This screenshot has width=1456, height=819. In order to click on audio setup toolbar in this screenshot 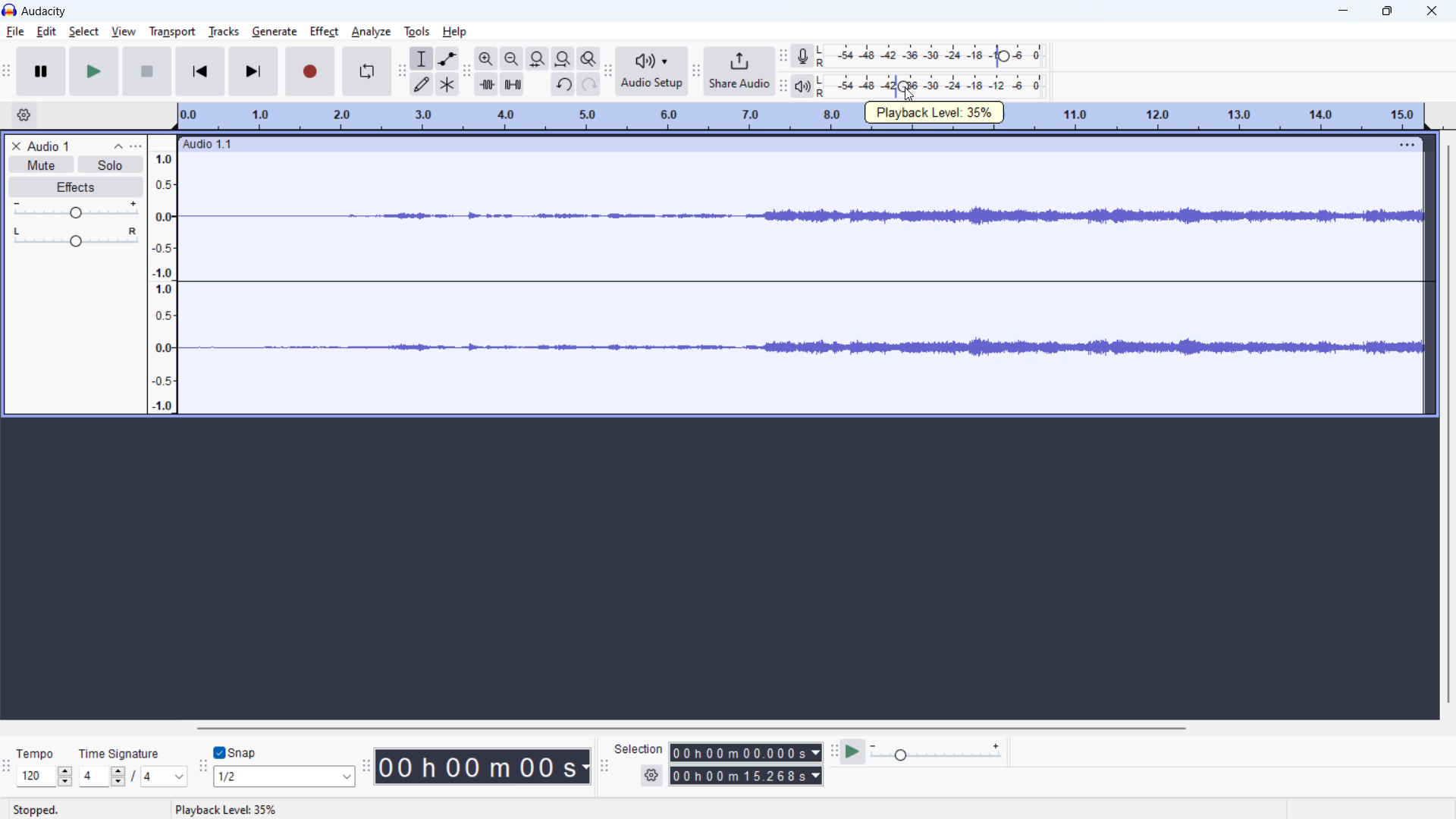, I will do `click(608, 71)`.